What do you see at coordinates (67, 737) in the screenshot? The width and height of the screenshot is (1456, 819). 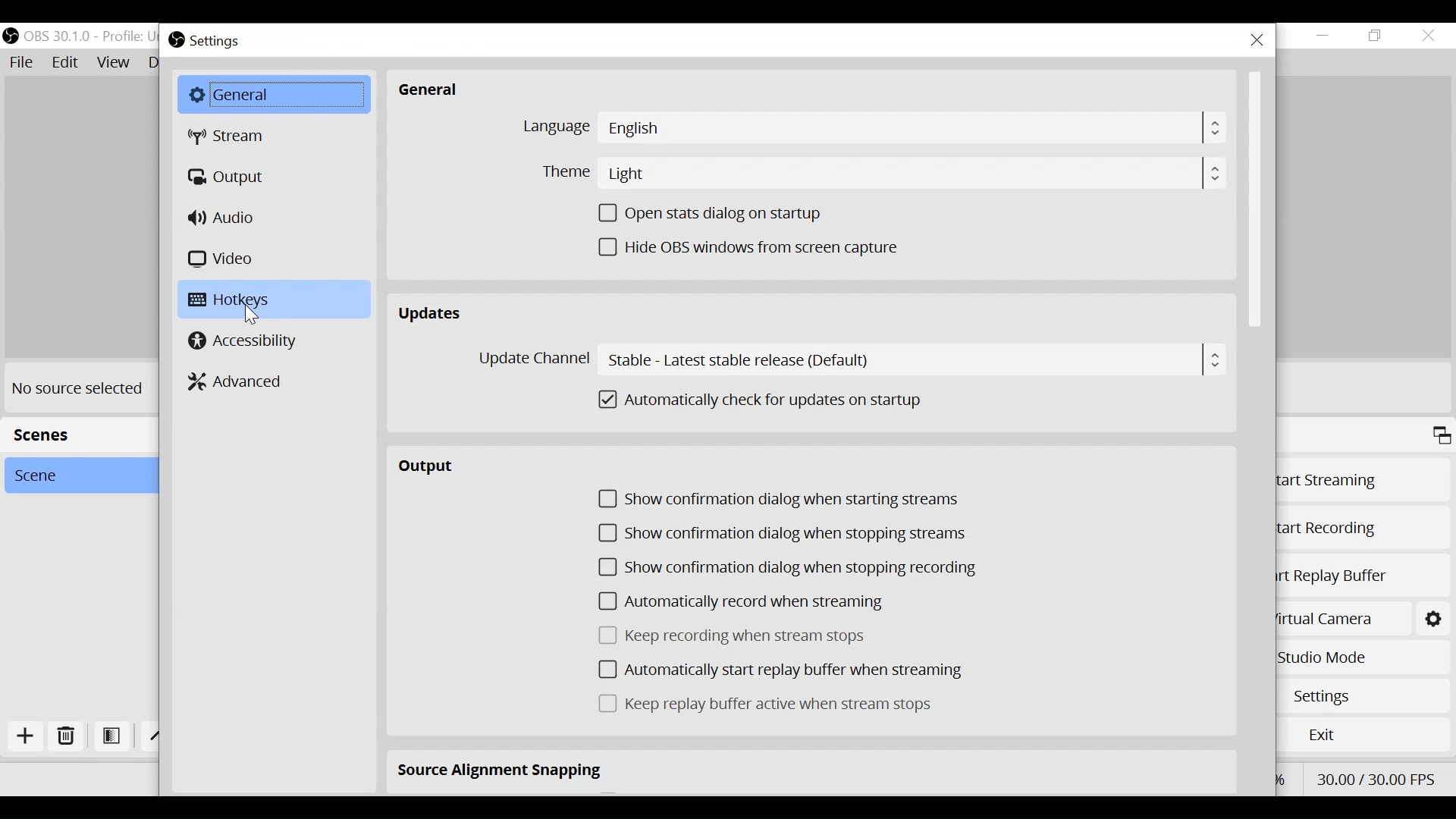 I see `Delete` at bounding box center [67, 737].